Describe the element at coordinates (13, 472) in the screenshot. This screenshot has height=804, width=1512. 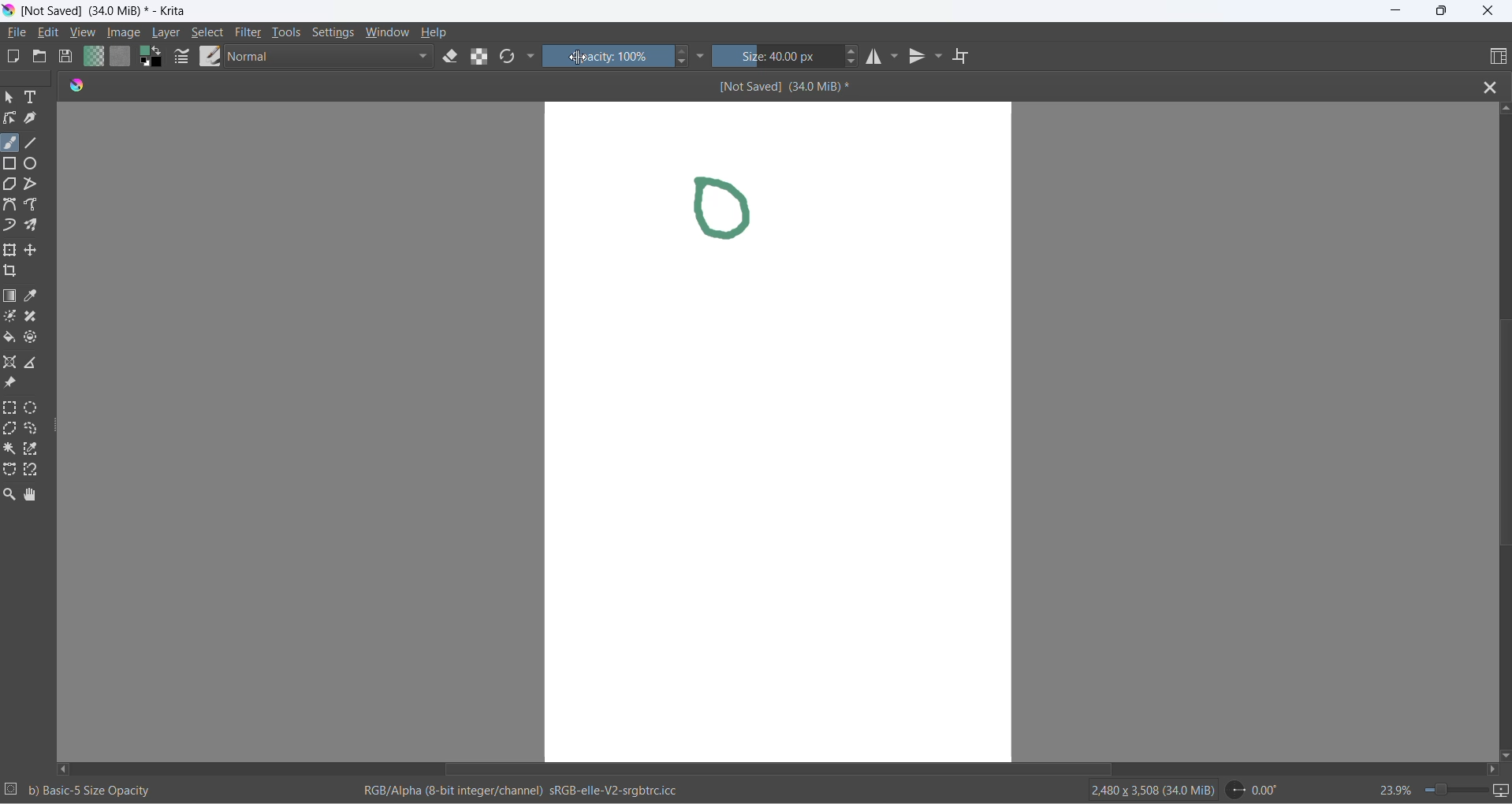
I see `Bezier curve selection tool ` at that location.